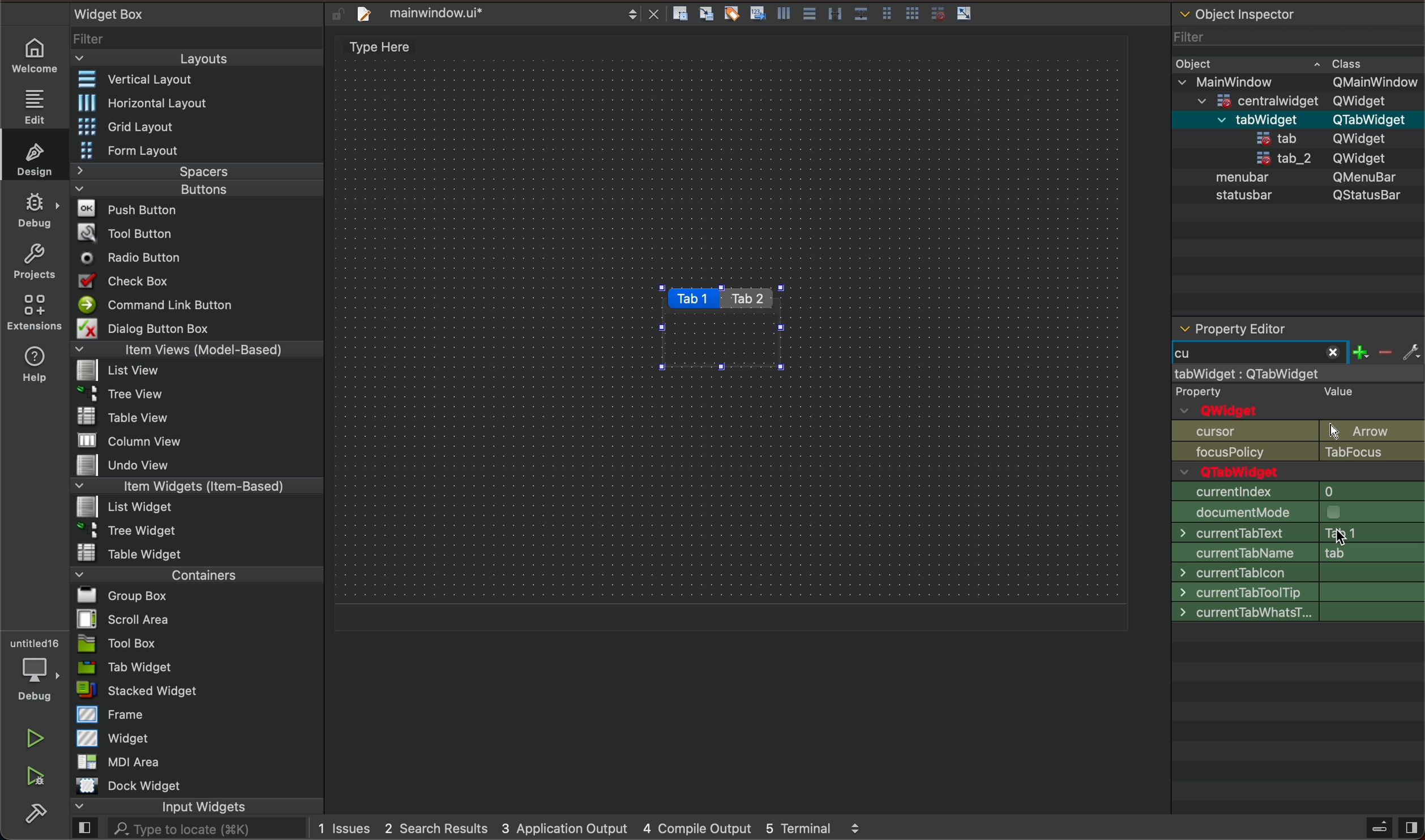 This screenshot has height=840, width=1425. What do you see at coordinates (105, 714) in the screenshot?
I see `Frame` at bounding box center [105, 714].